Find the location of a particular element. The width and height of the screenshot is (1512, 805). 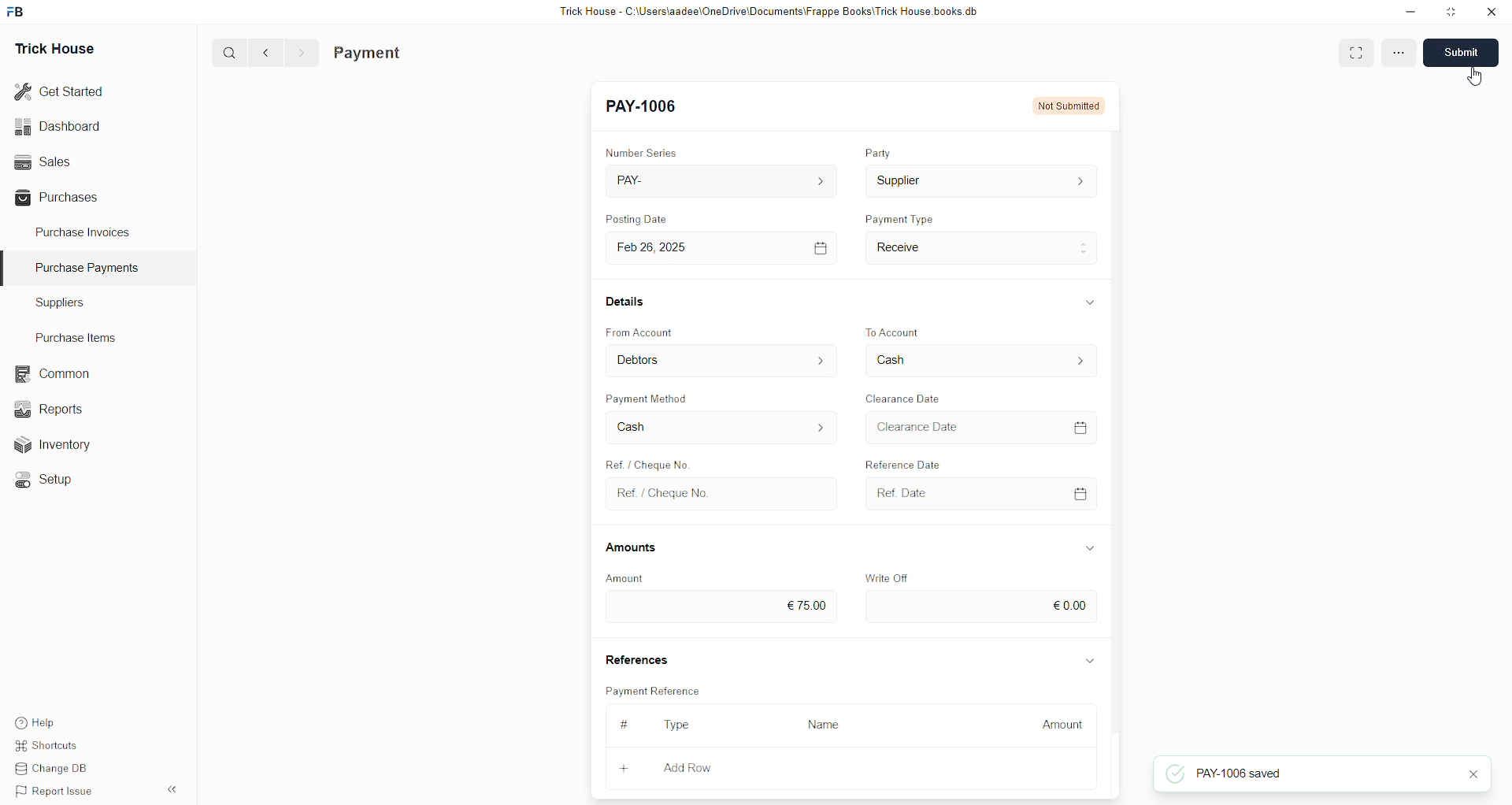

Trick House is located at coordinates (57, 46).